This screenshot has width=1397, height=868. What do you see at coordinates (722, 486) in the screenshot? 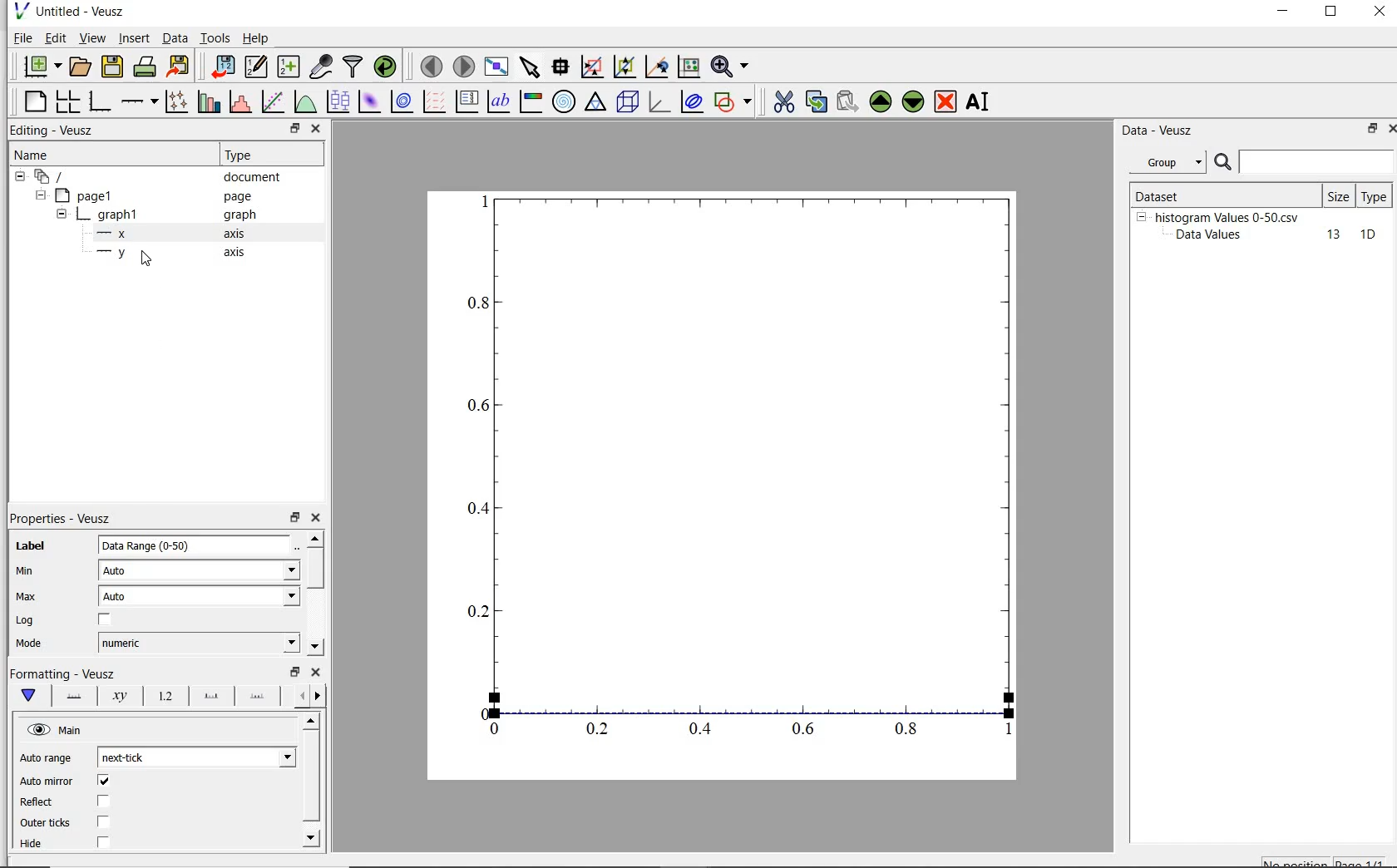
I see `Graph` at bounding box center [722, 486].